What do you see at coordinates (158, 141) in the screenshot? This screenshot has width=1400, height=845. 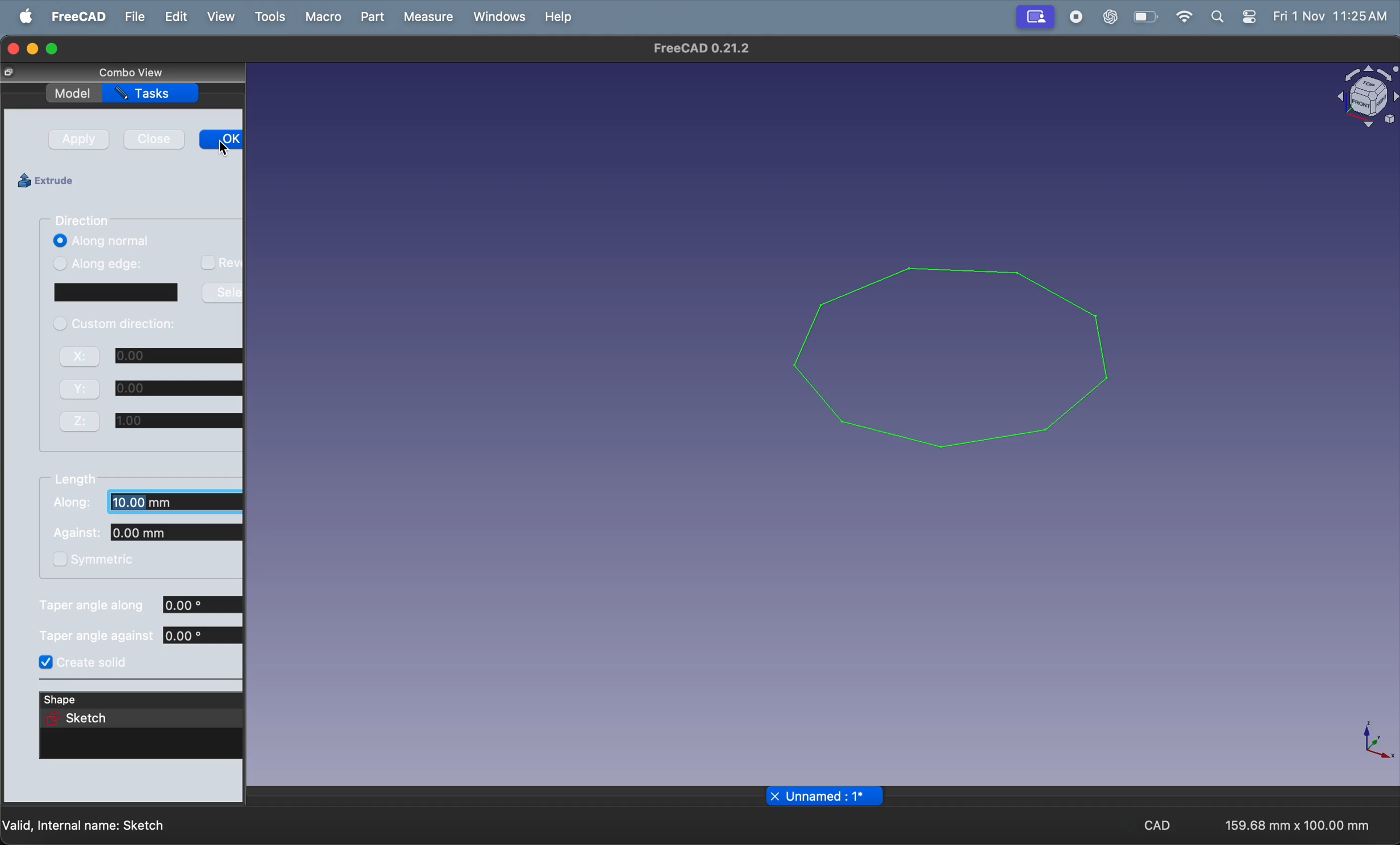 I see `close` at bounding box center [158, 141].